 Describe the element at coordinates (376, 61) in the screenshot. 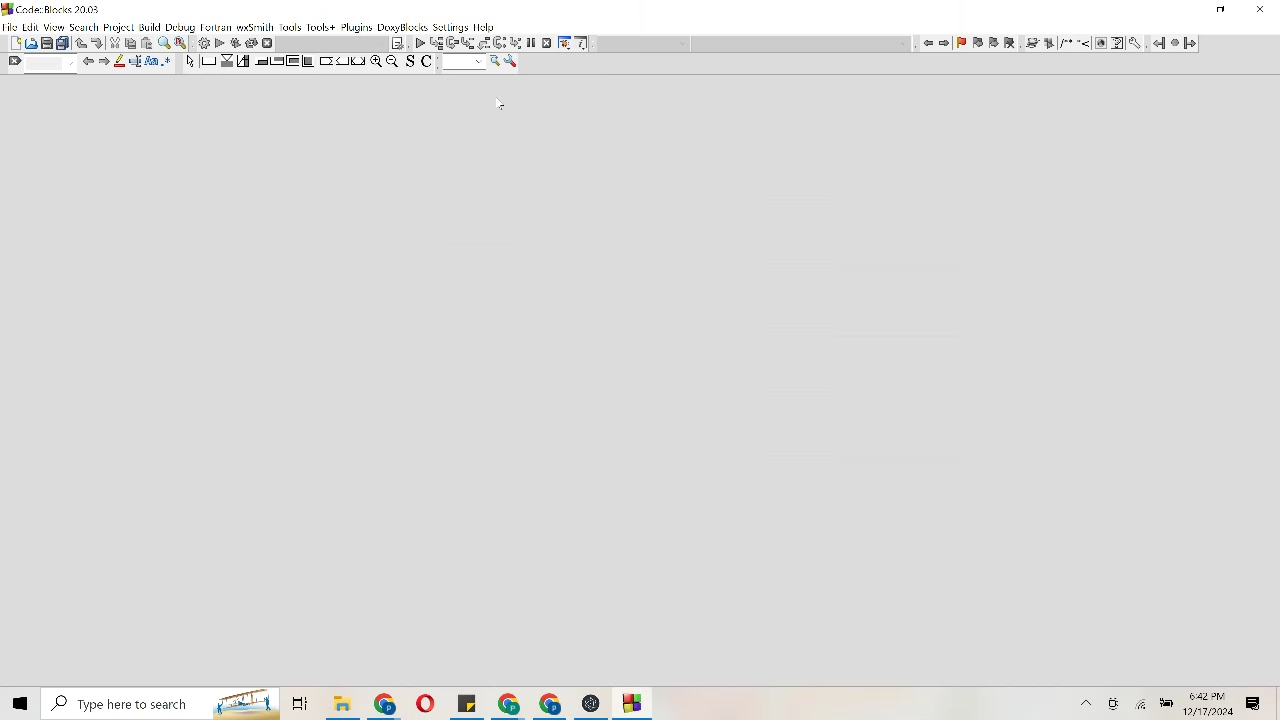

I see `Zoom in` at that location.